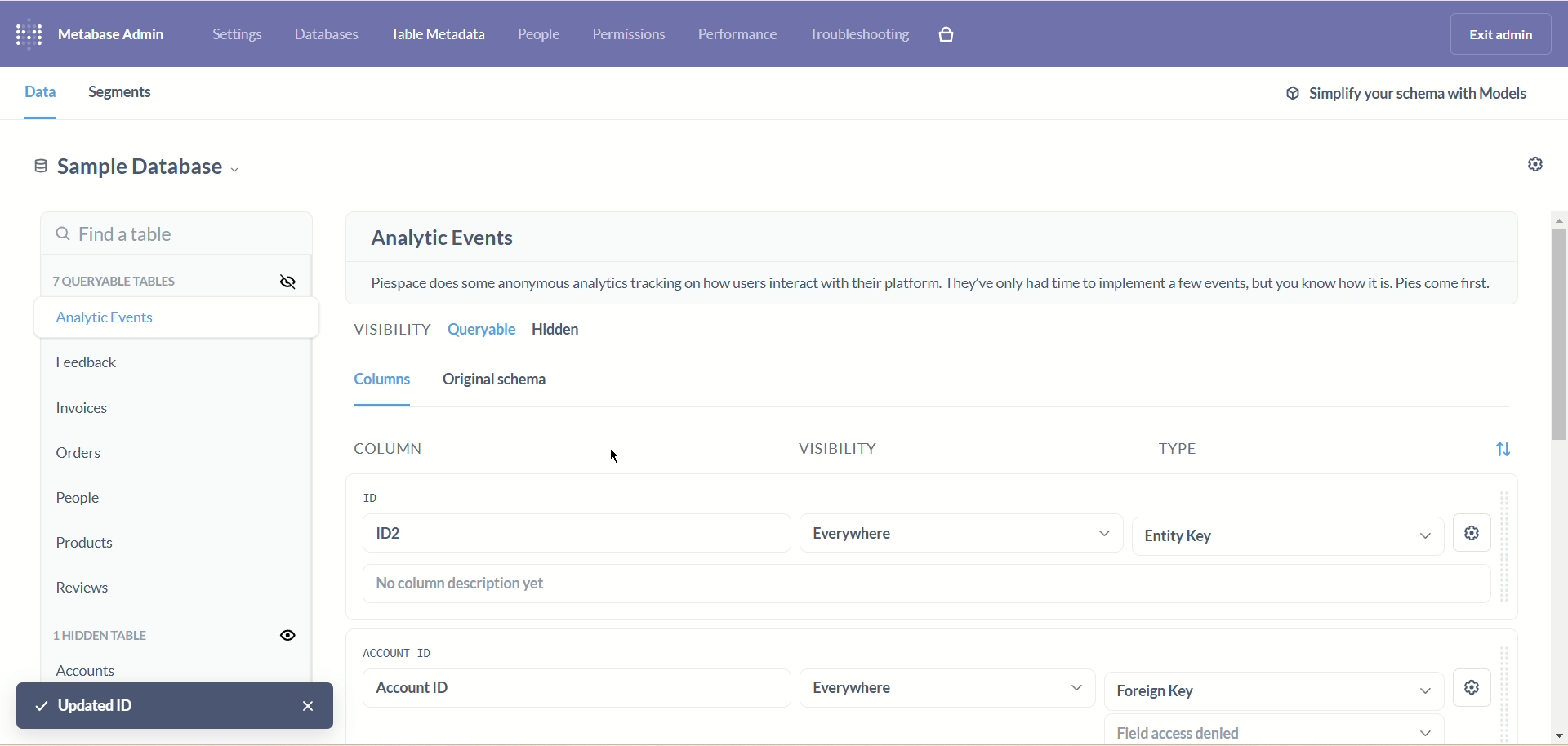  Describe the element at coordinates (287, 633) in the screenshot. I see `Unhide all` at that location.